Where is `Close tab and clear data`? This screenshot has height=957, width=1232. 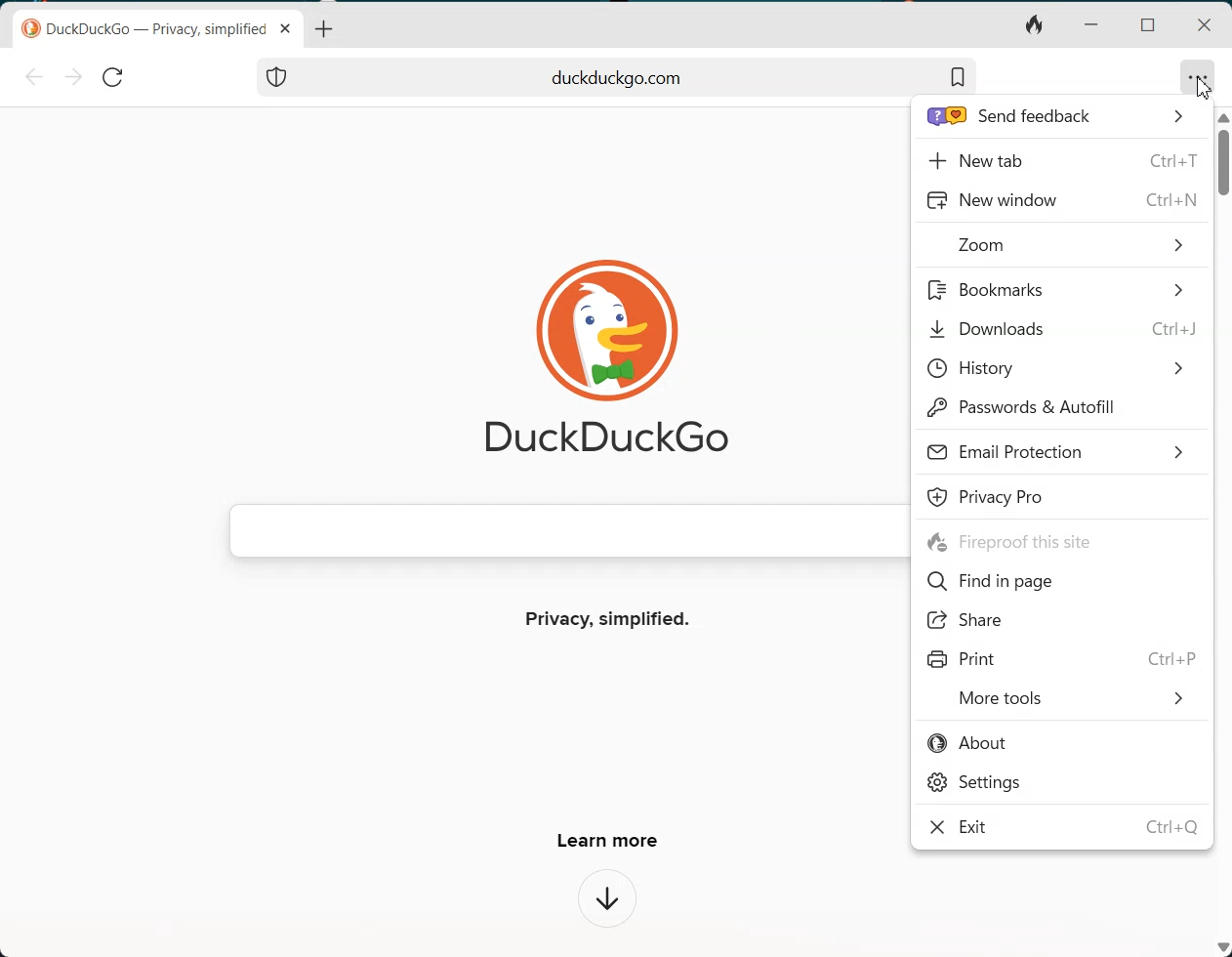
Close tab and clear data is located at coordinates (1034, 26).